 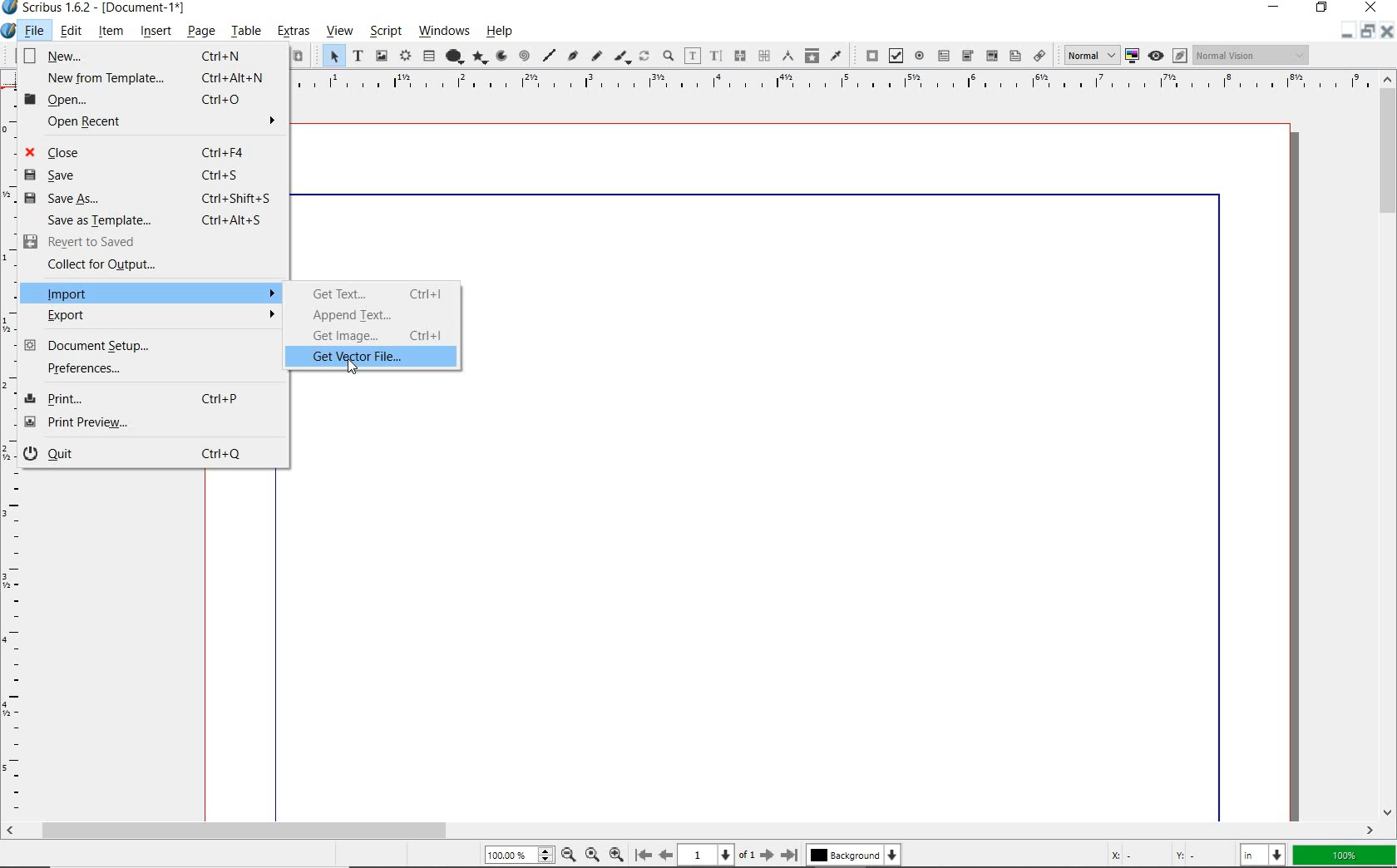 What do you see at coordinates (150, 399) in the screenshot?
I see `Print... Ctrl+P` at bounding box center [150, 399].